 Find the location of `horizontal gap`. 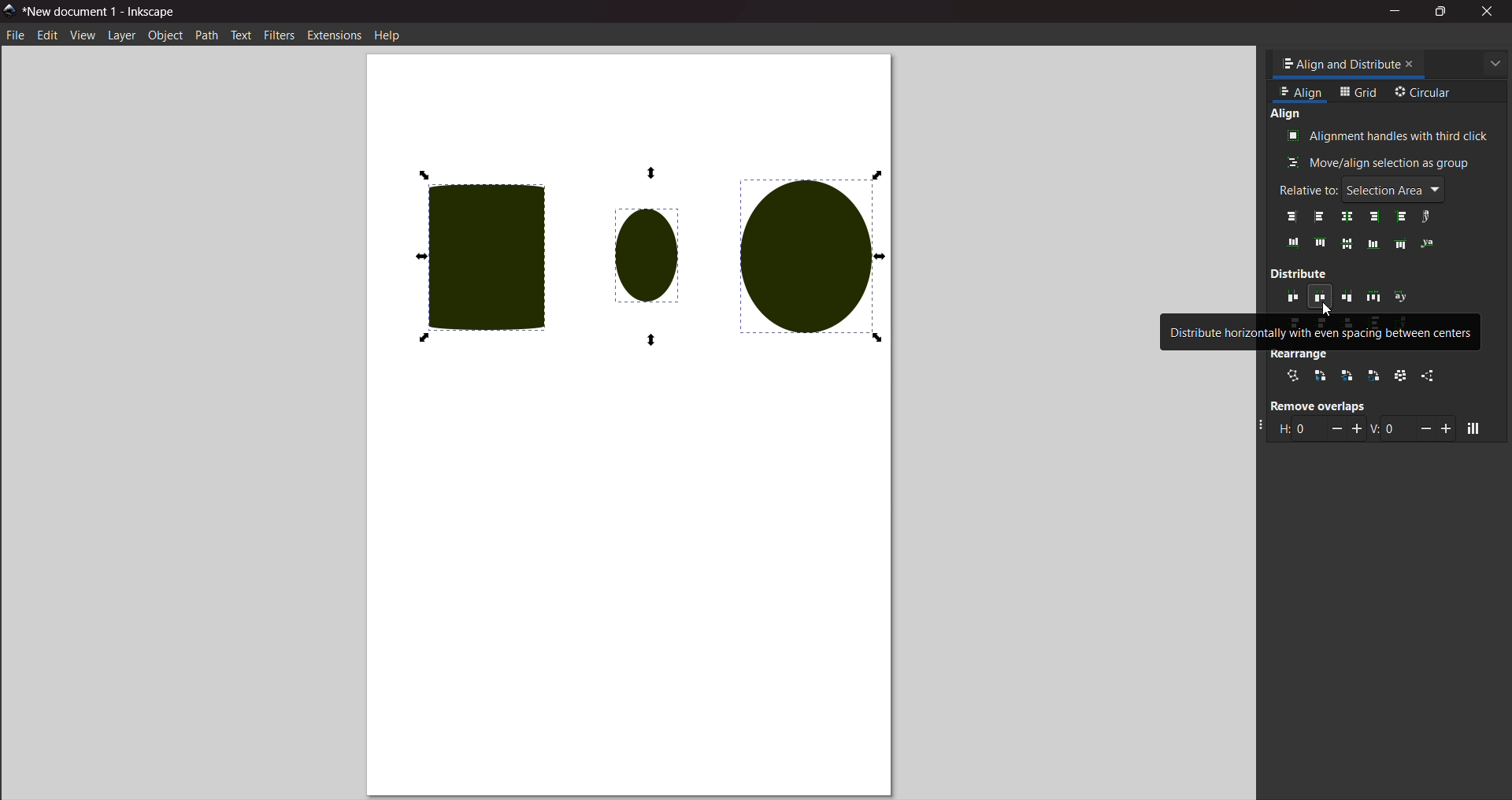

horizontal gap is located at coordinates (1312, 430).